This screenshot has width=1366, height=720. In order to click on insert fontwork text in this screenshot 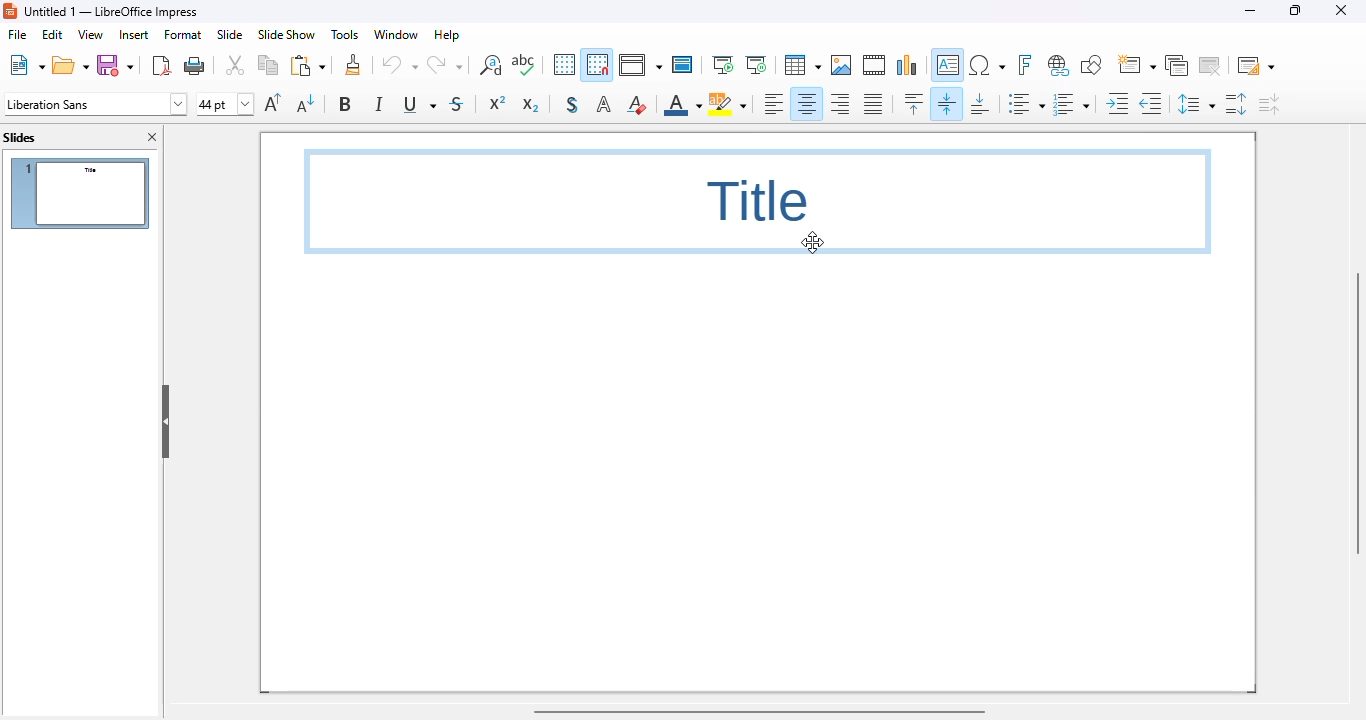, I will do `click(1025, 65)`.